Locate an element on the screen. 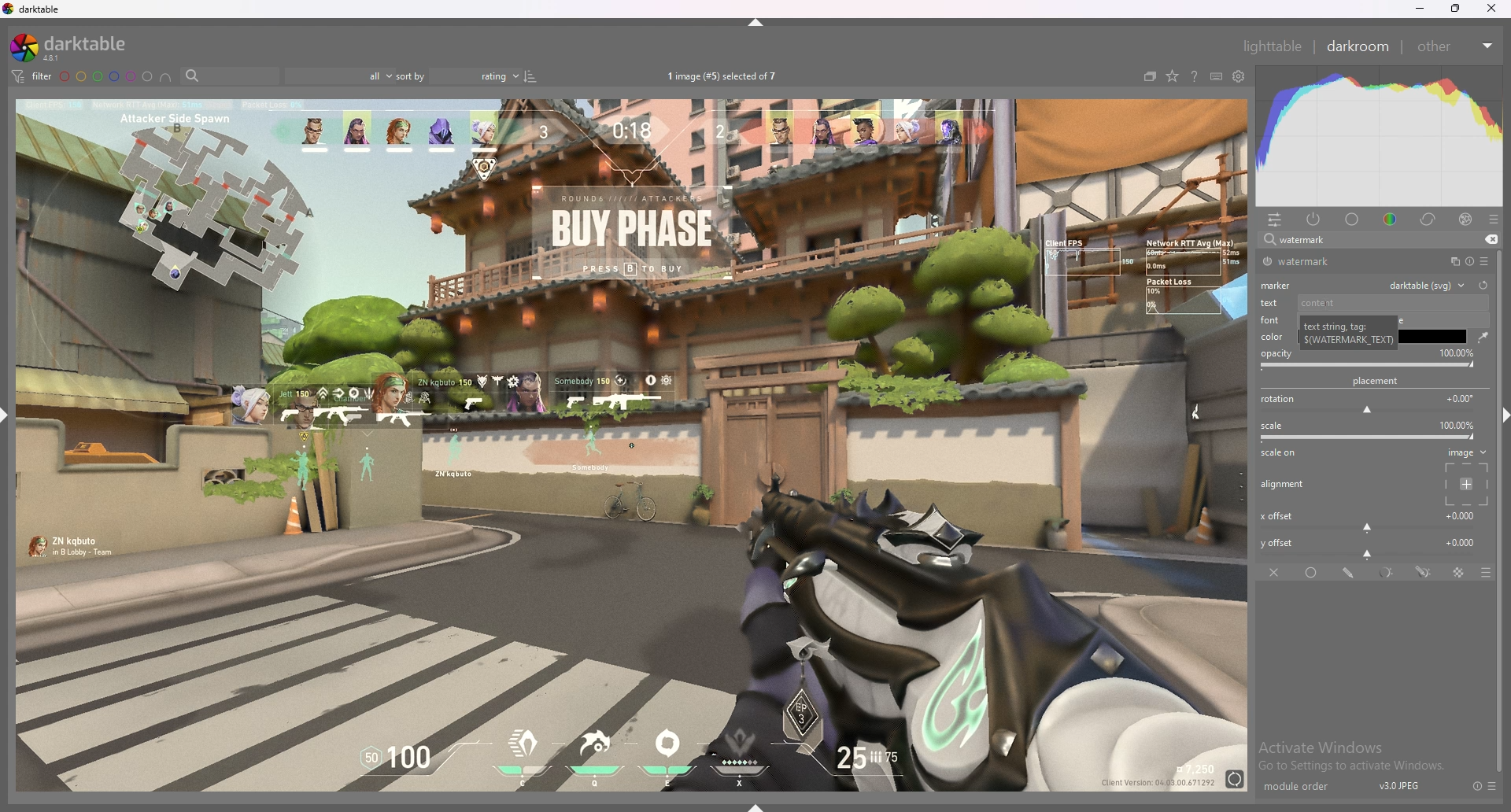 This screenshot has height=812, width=1511. reverse sort is located at coordinates (530, 76).